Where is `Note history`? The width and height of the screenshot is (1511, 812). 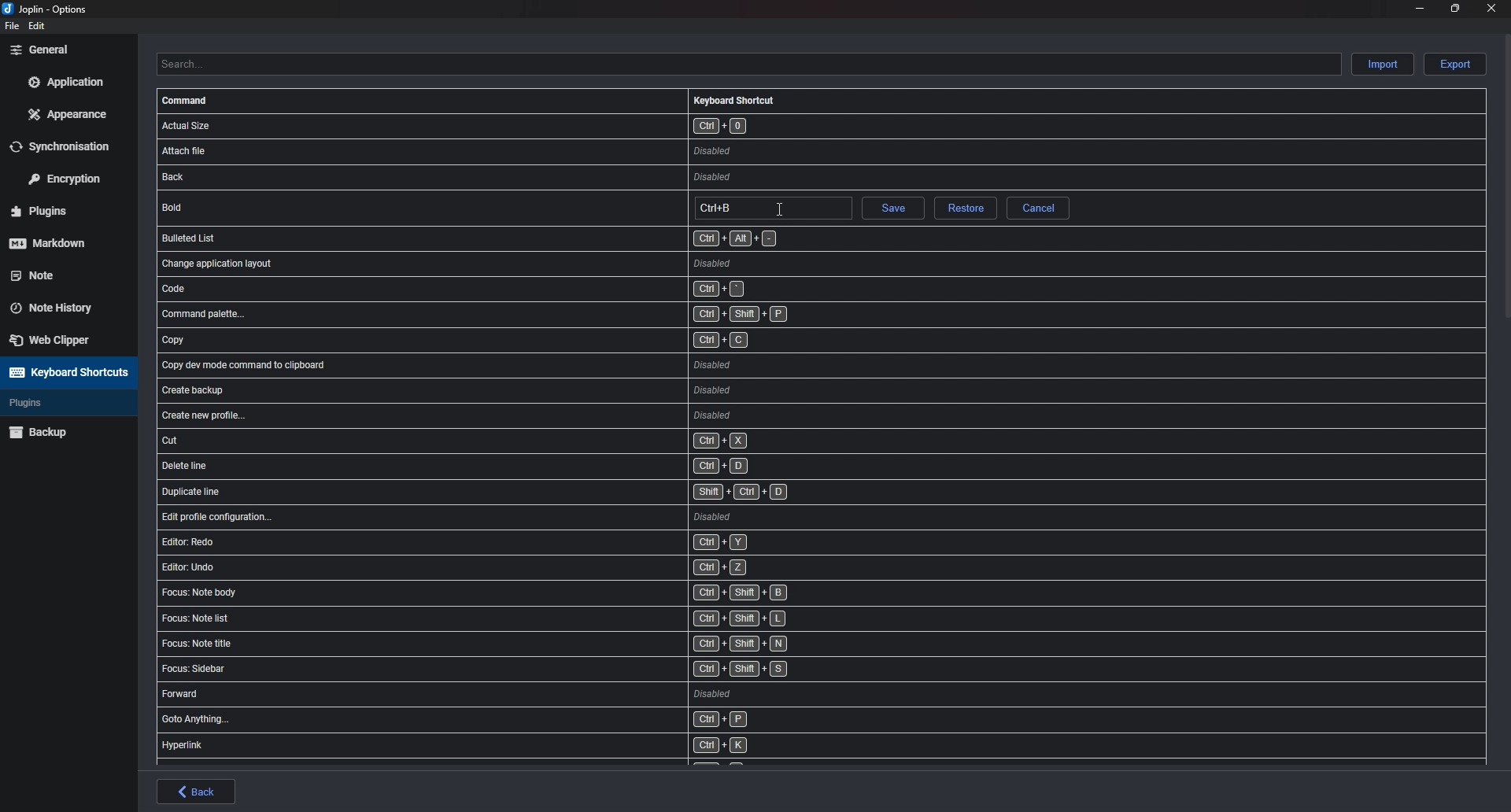 Note history is located at coordinates (60, 303).